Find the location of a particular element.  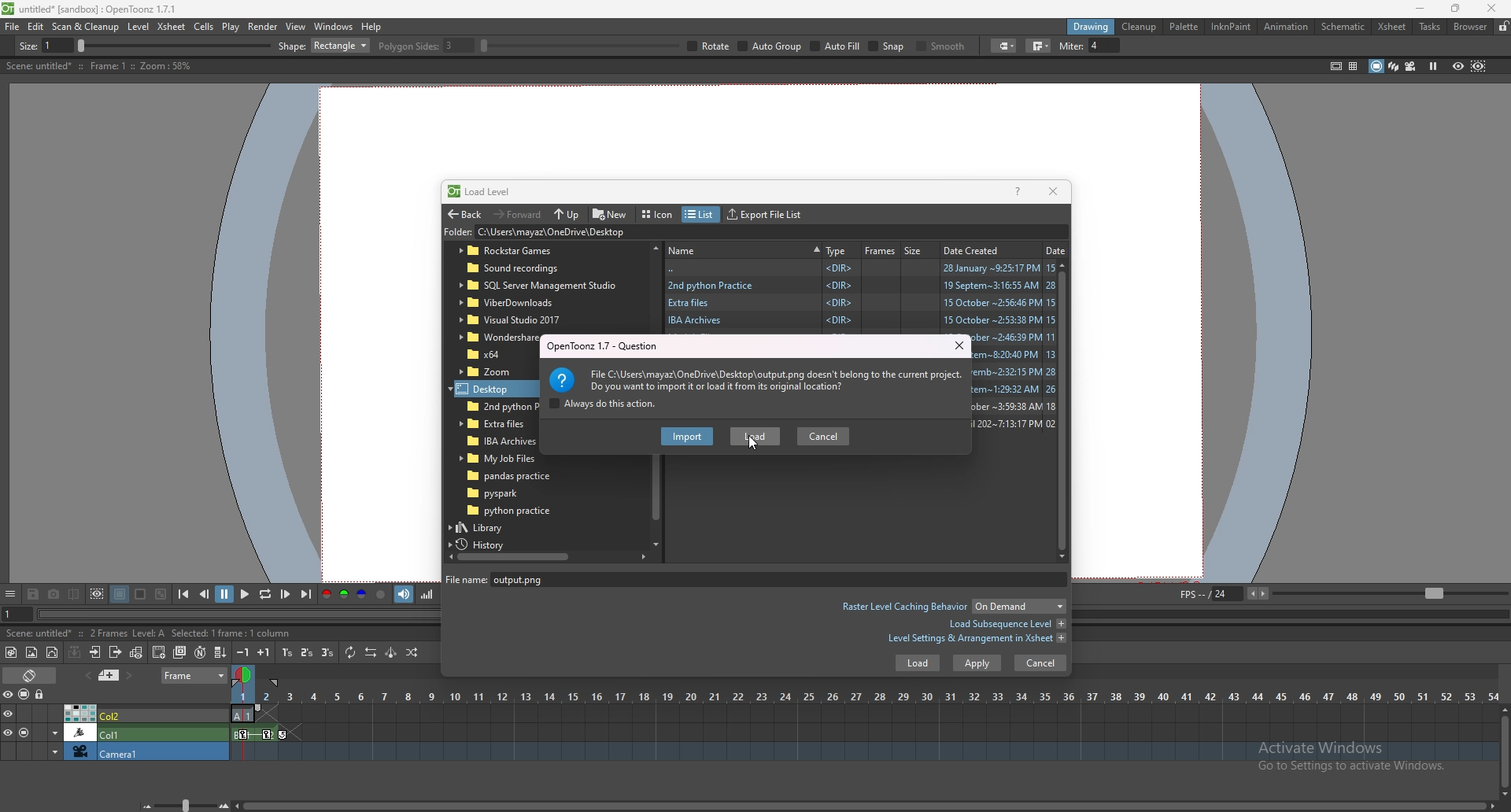

preview is located at coordinates (1458, 65).